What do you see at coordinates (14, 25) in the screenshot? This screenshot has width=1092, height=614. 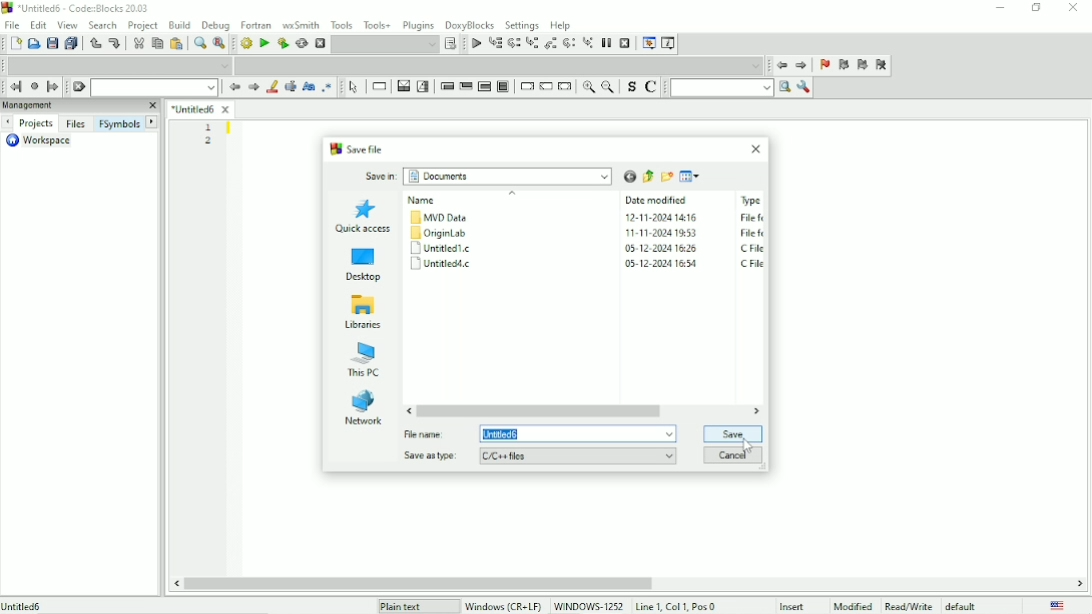 I see `File` at bounding box center [14, 25].